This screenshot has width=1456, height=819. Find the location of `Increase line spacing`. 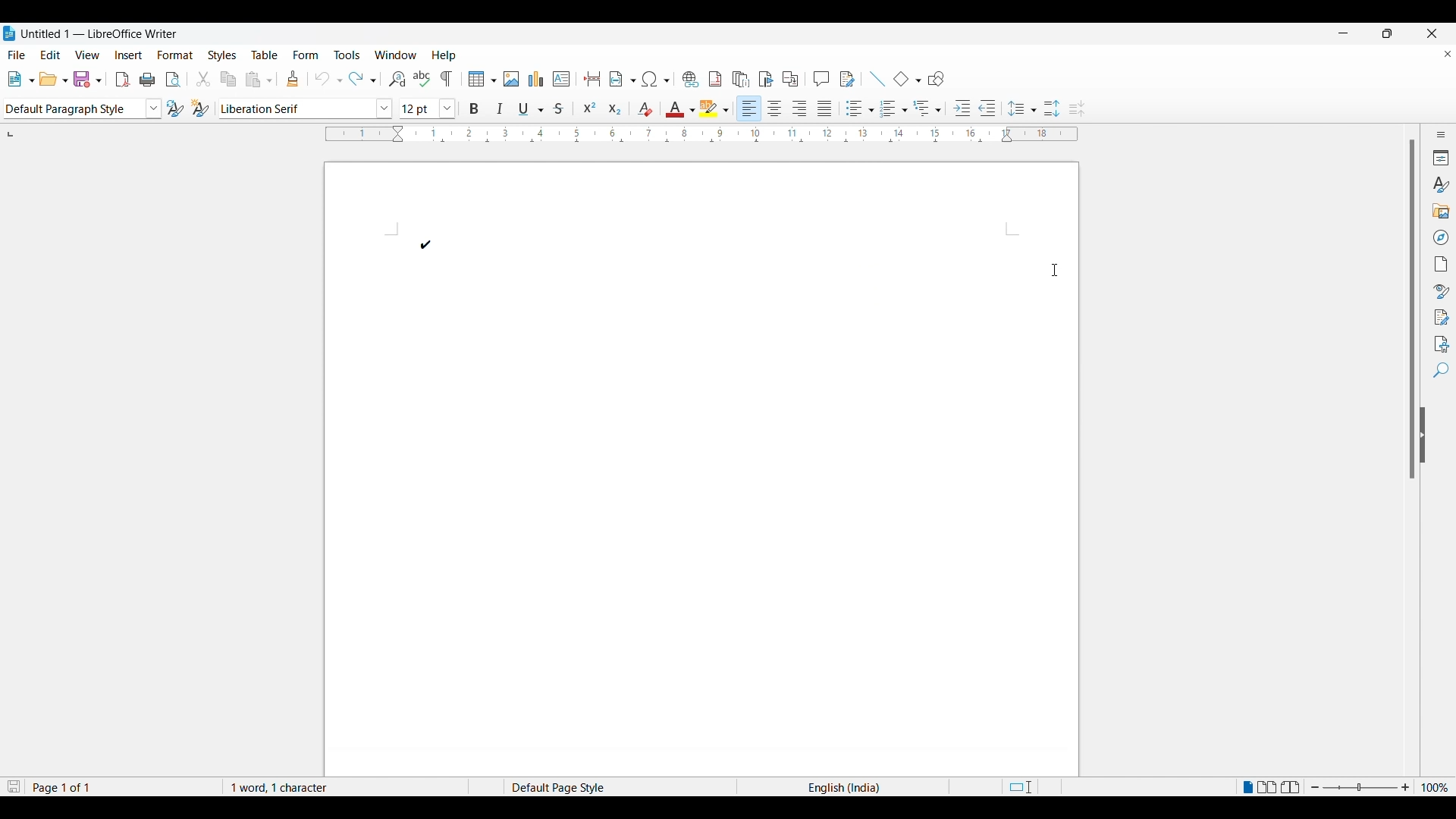

Increase line spacing is located at coordinates (1050, 105).